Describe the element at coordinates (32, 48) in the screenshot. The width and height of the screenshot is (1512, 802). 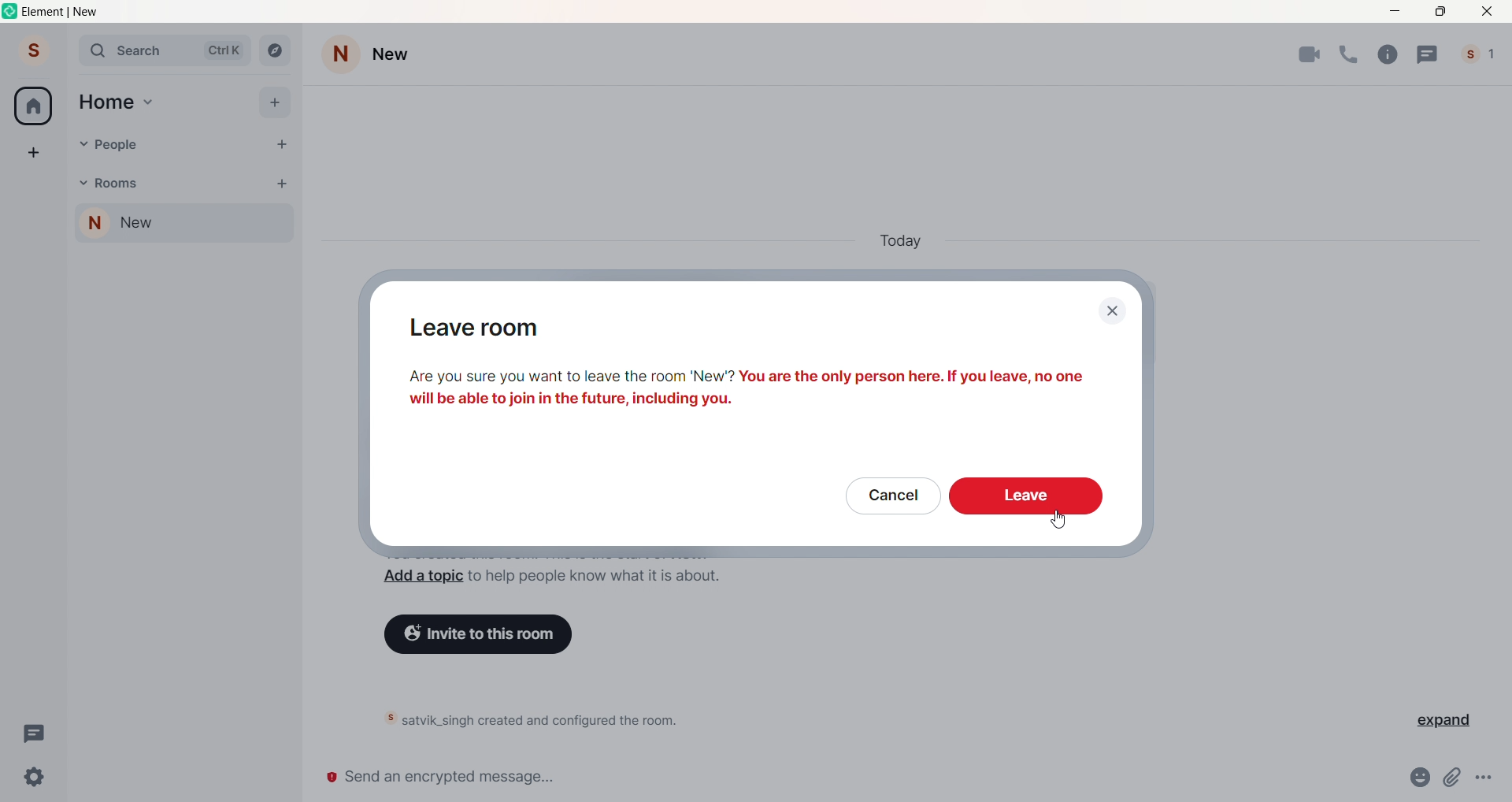
I see `Account` at that location.